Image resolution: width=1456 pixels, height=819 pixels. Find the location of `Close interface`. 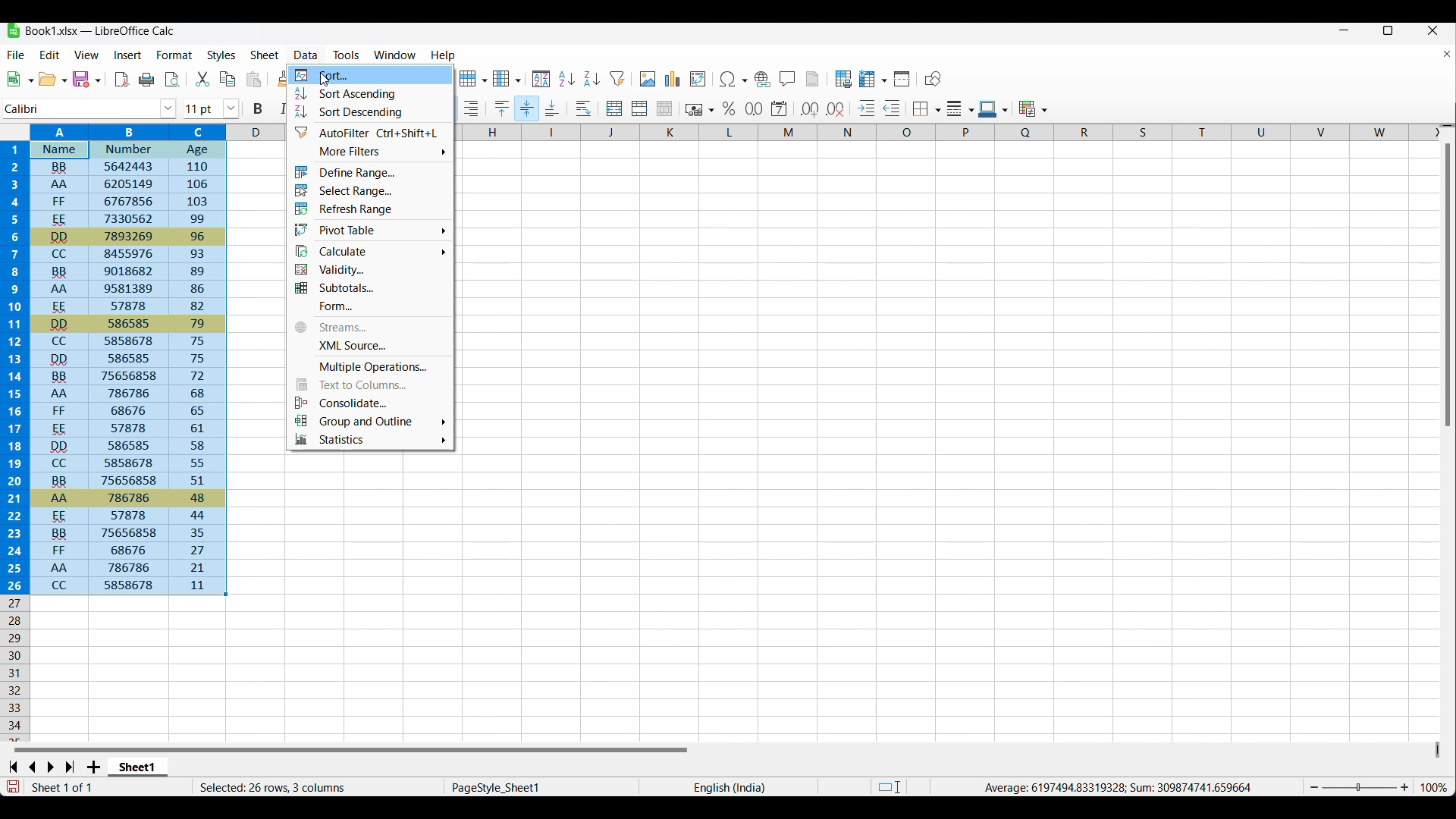

Close interface is located at coordinates (1433, 30).